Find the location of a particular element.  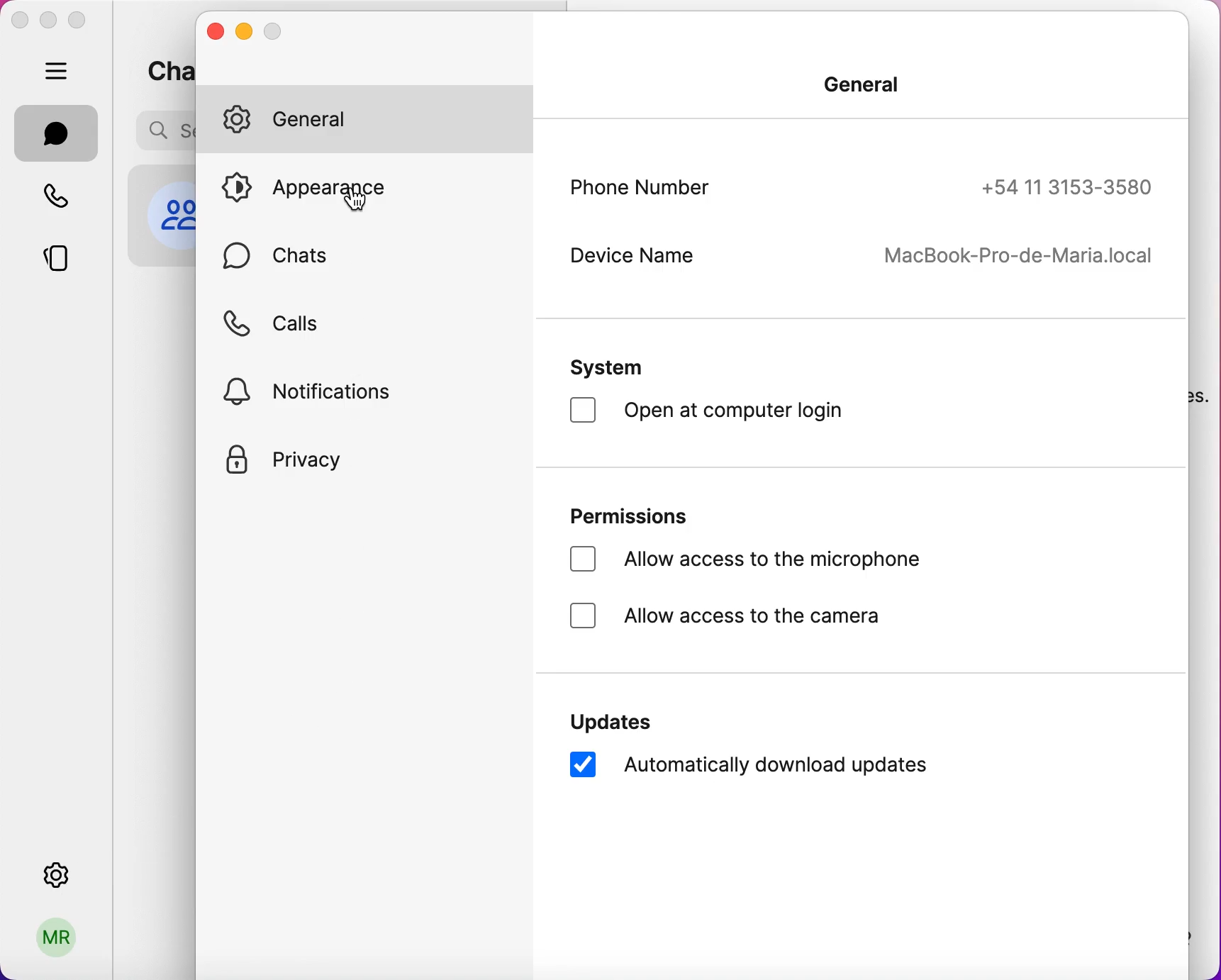

automatically download updates is located at coordinates (788, 769).